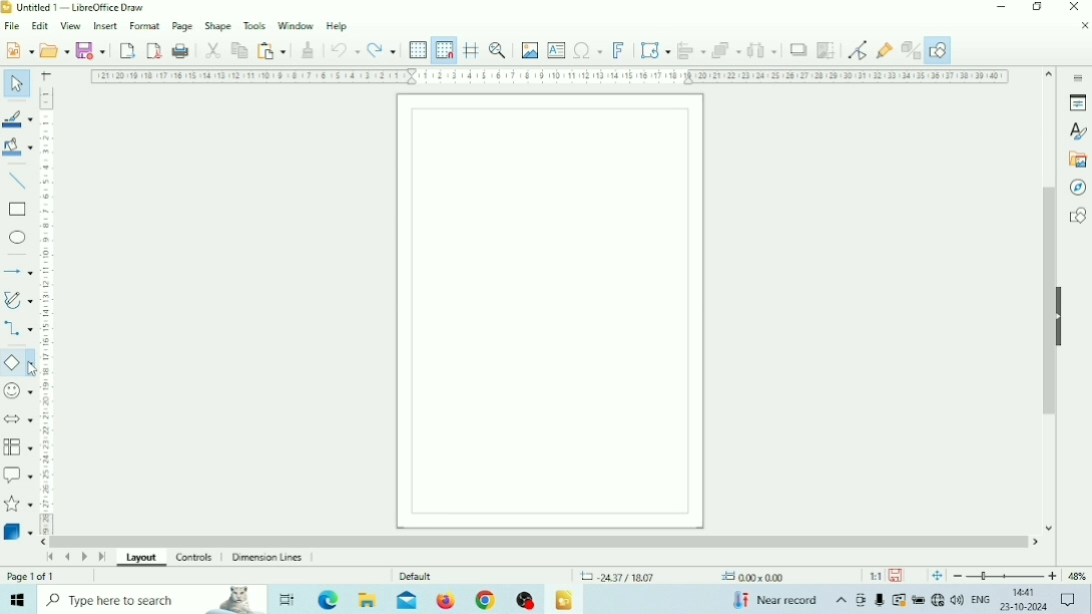  Describe the element at coordinates (940, 50) in the screenshot. I see `Show Draw Functions` at that location.